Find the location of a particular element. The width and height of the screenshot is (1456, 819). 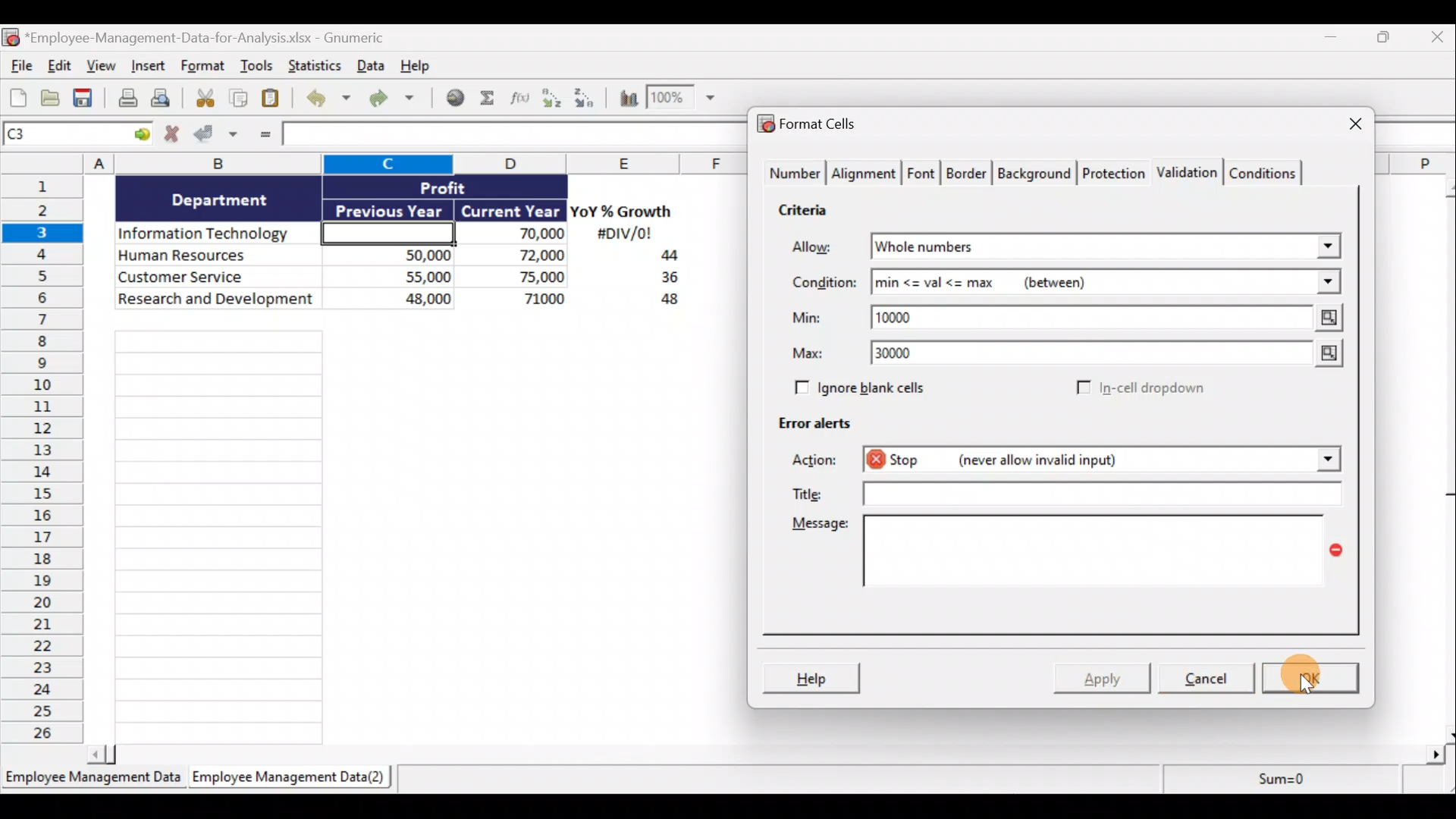

72,000 is located at coordinates (518, 256).